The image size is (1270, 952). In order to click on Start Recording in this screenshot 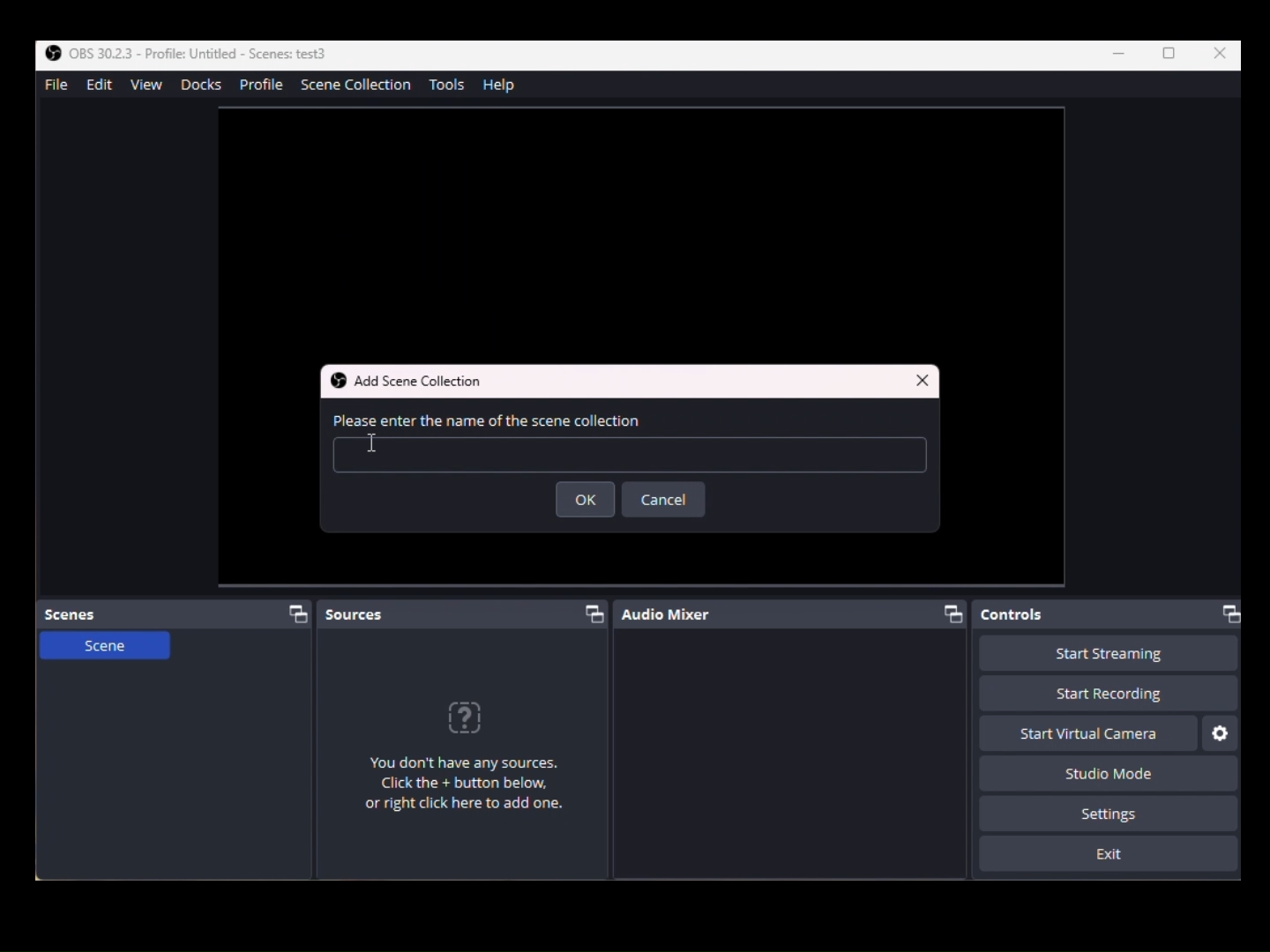, I will do `click(1109, 654)`.